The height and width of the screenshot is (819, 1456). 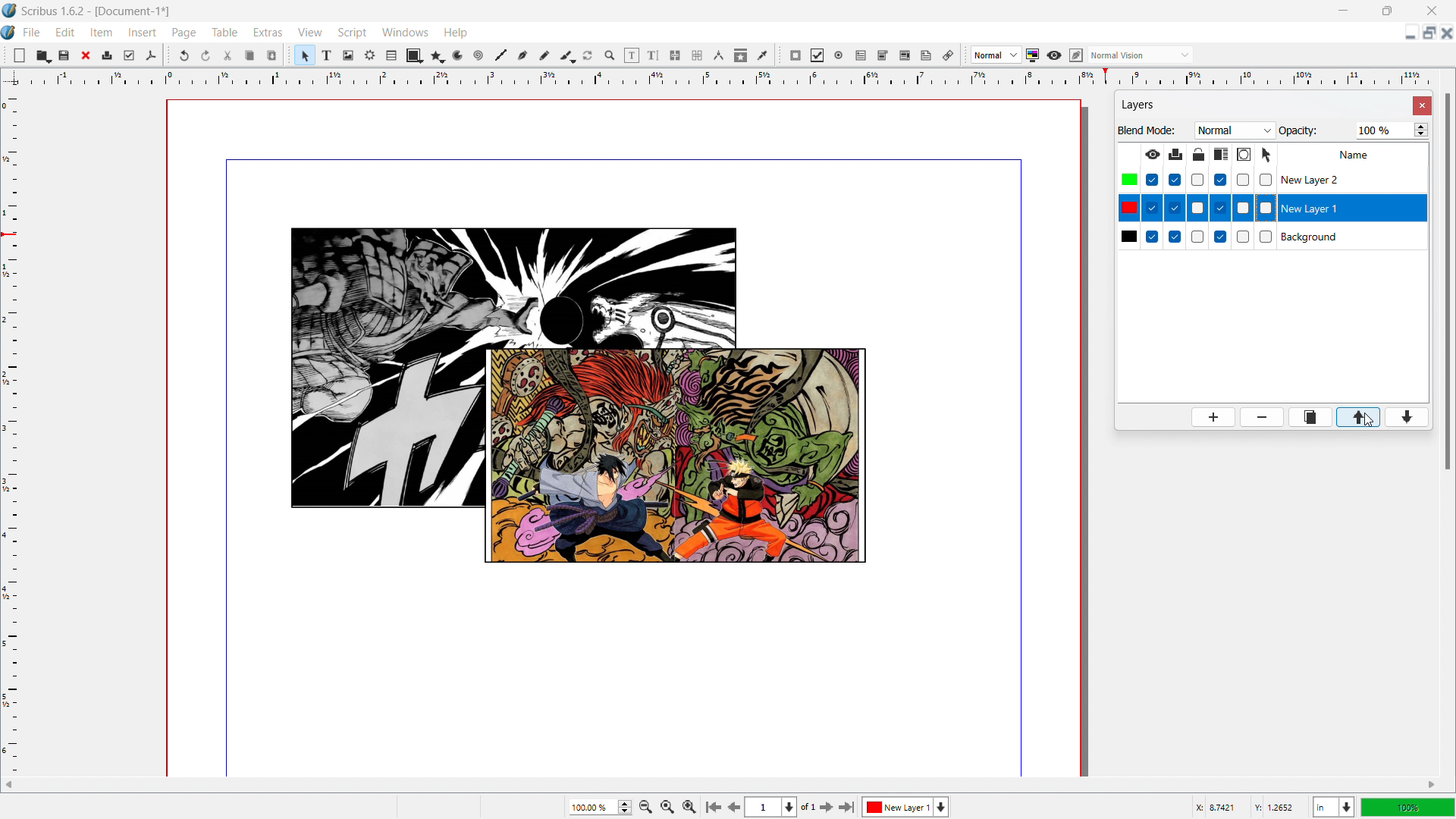 I want to click on save, so click(x=64, y=56).